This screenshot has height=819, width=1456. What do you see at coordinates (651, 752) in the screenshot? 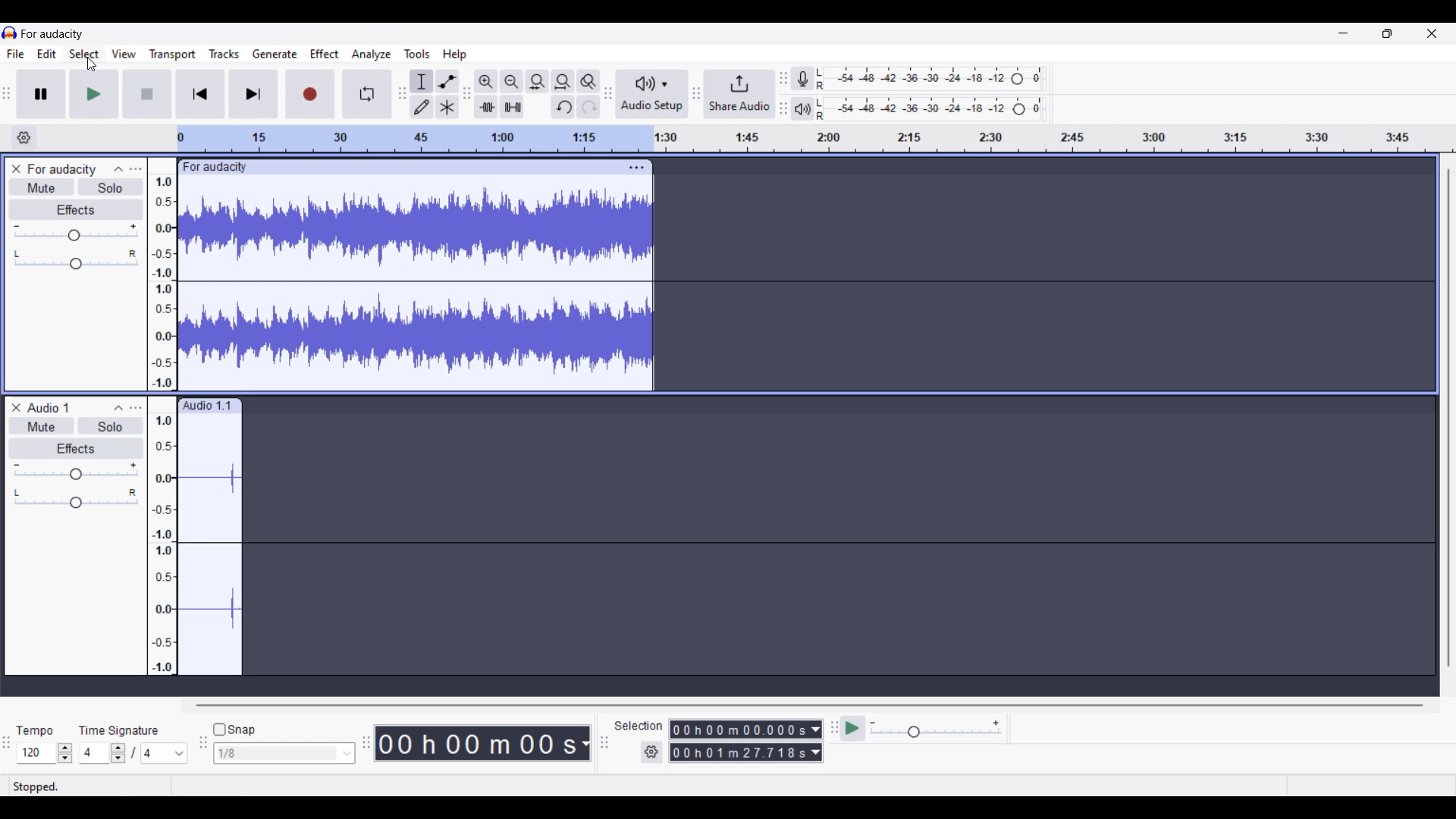
I see `Settings` at bounding box center [651, 752].